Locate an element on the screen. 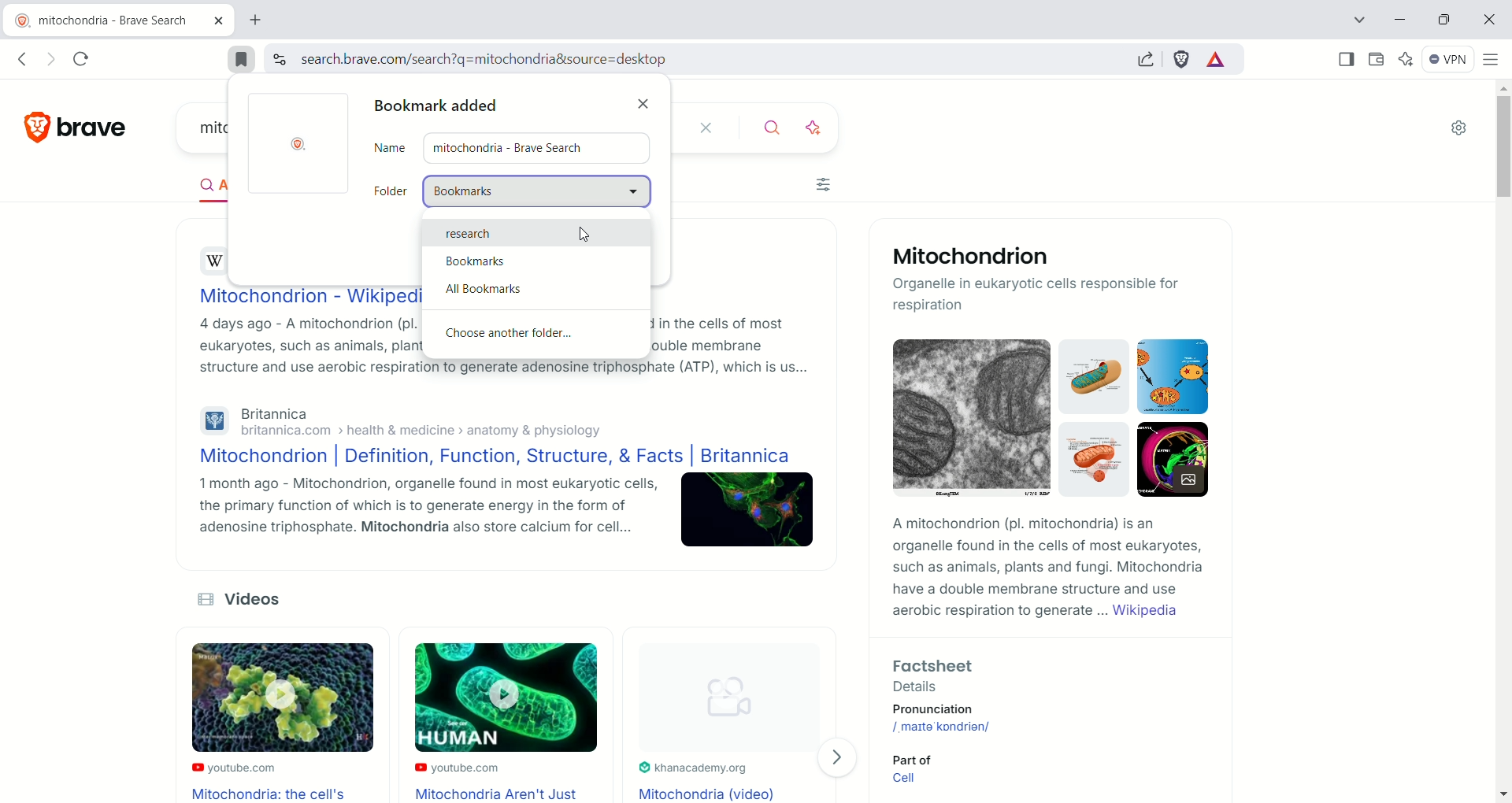 The width and height of the screenshot is (1512, 803). brave is located at coordinates (95, 124).